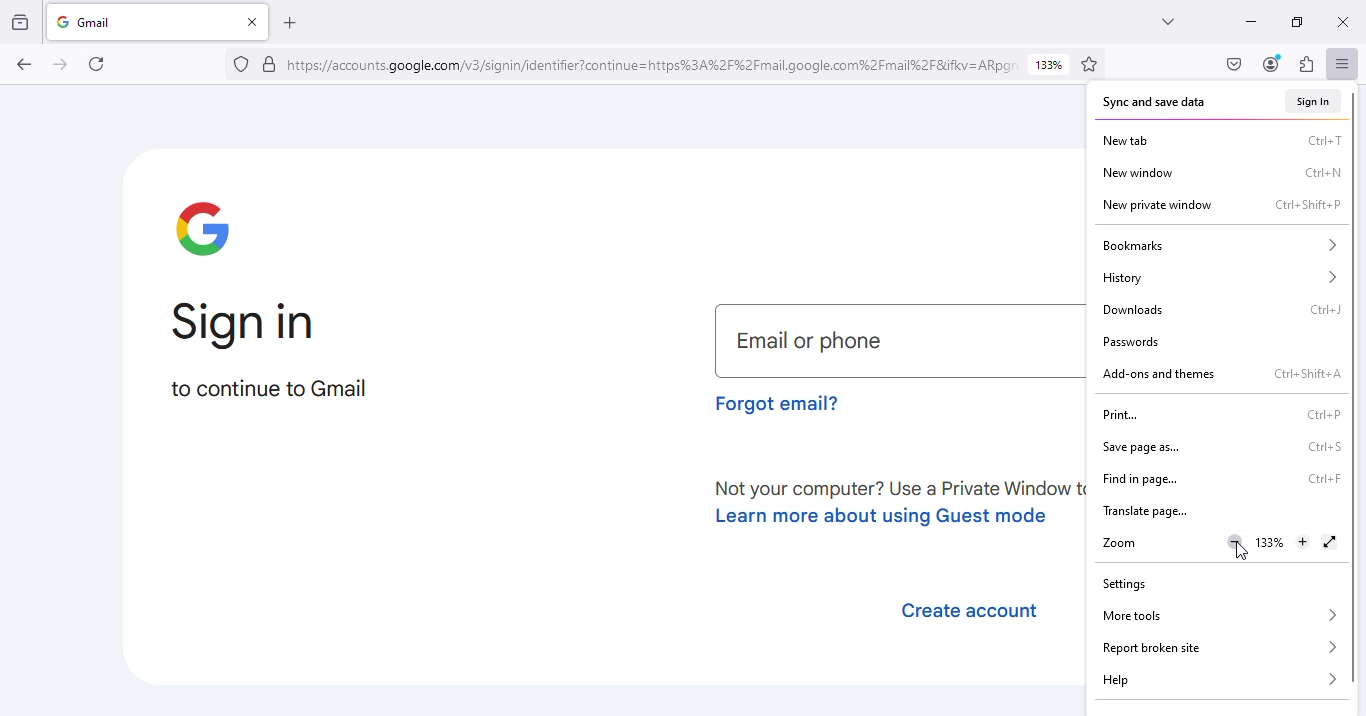  Describe the element at coordinates (1141, 448) in the screenshot. I see `save page as...` at that location.